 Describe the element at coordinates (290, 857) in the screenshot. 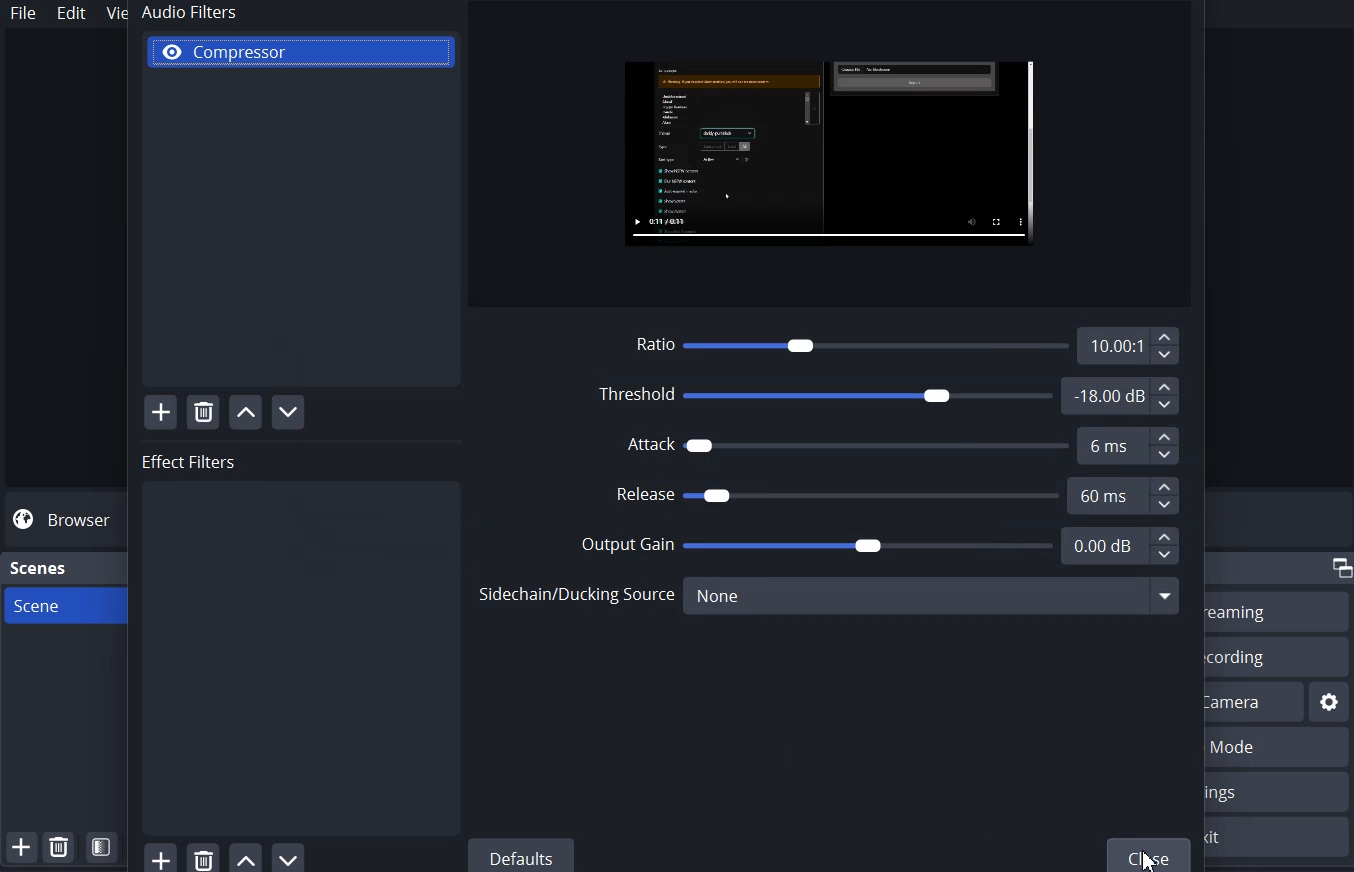

I see `Move Filter Down` at that location.